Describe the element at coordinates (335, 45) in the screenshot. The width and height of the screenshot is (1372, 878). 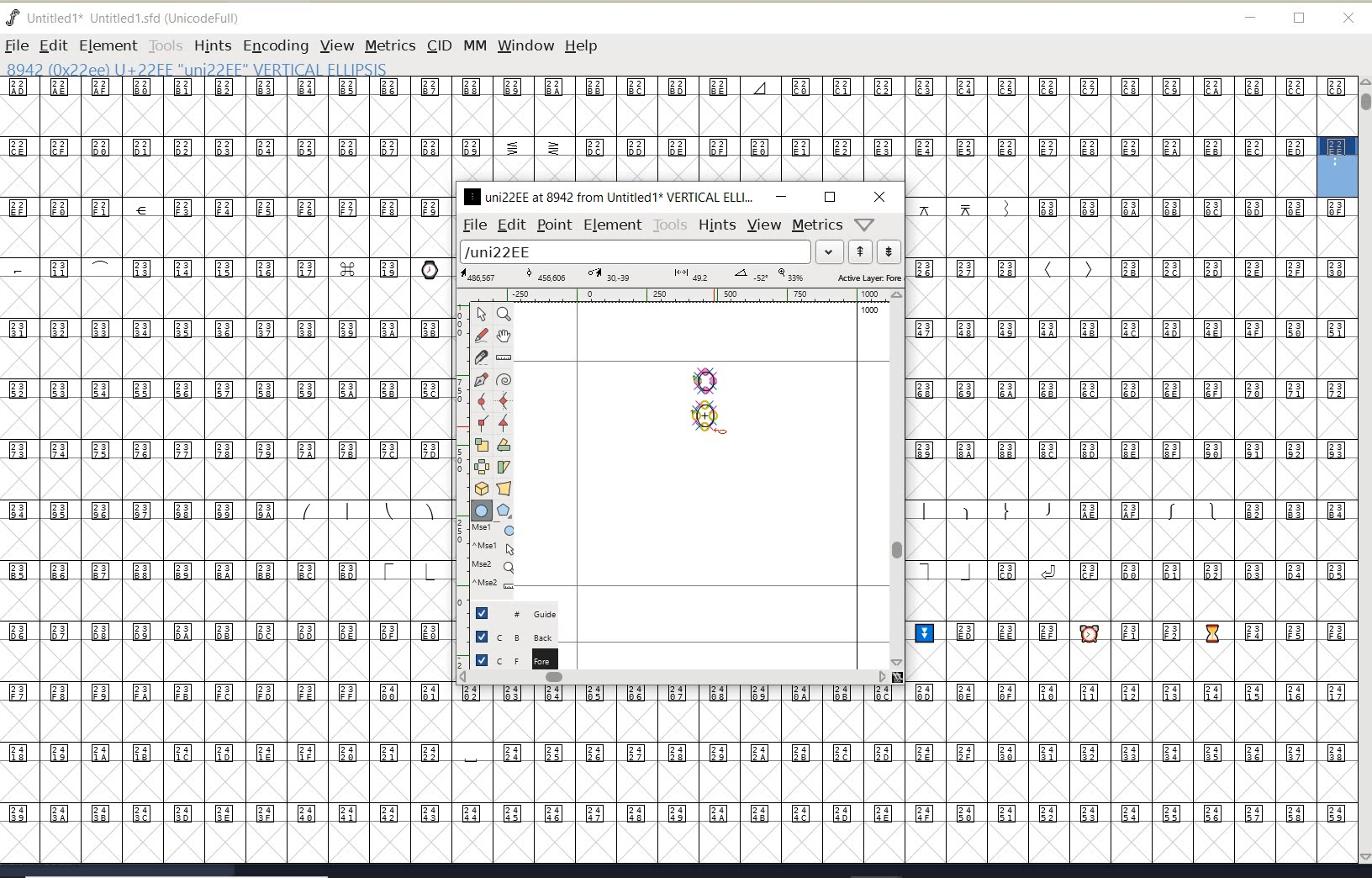
I see `VIEW` at that location.